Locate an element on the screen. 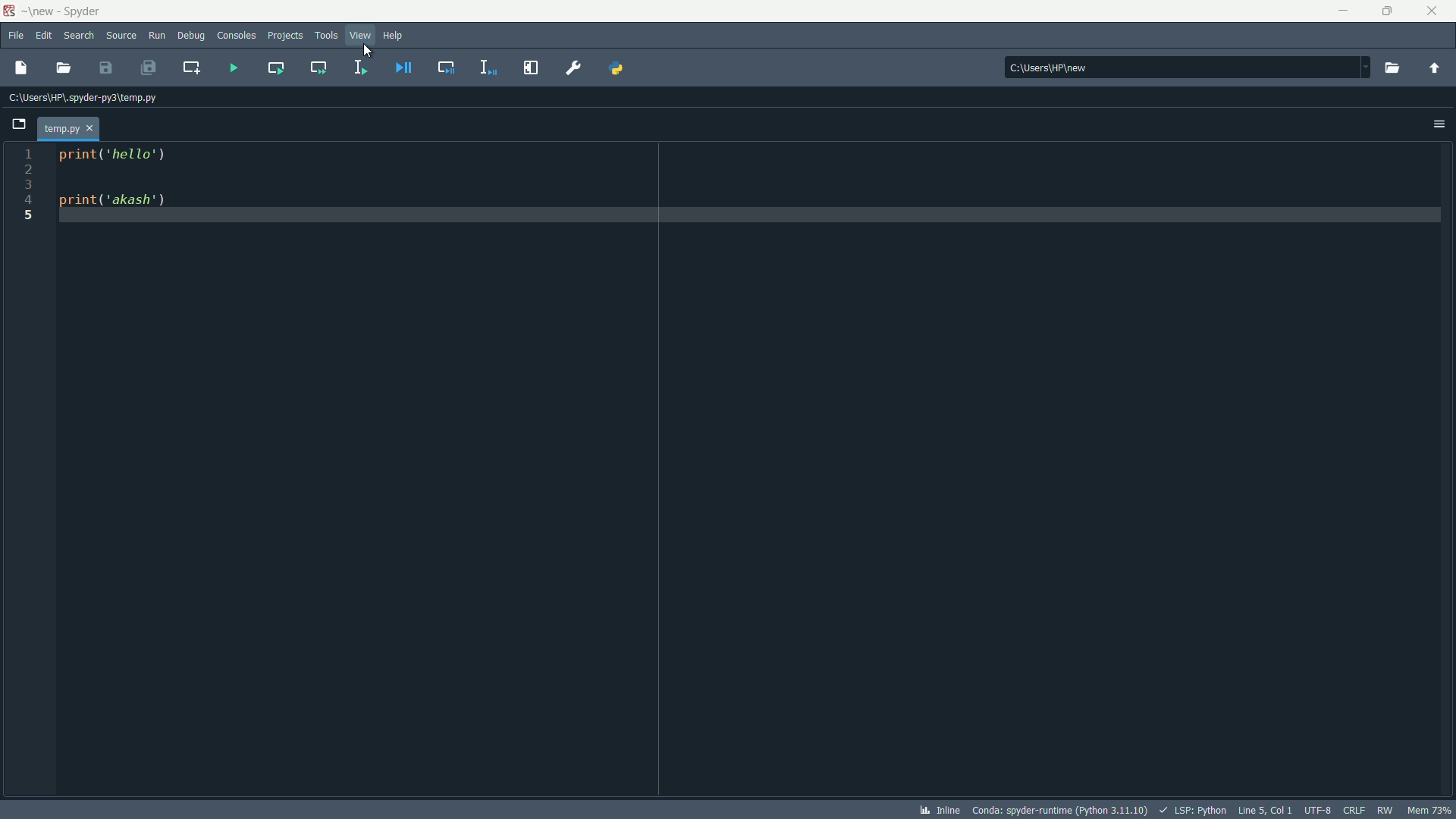 The width and height of the screenshot is (1456, 819). C:\Users\HP\new is located at coordinates (1173, 67).